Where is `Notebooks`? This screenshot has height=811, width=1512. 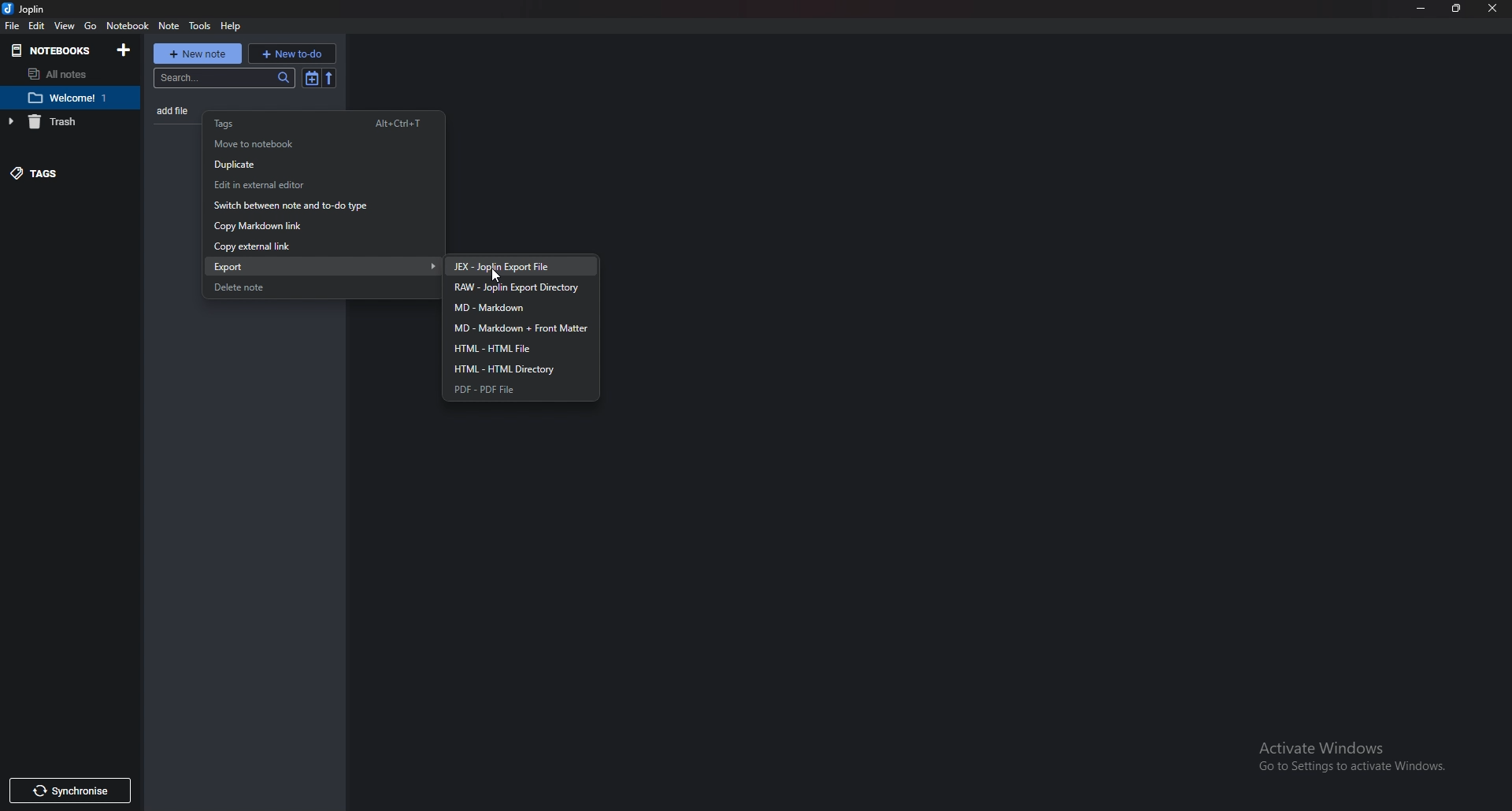 Notebooks is located at coordinates (53, 50).